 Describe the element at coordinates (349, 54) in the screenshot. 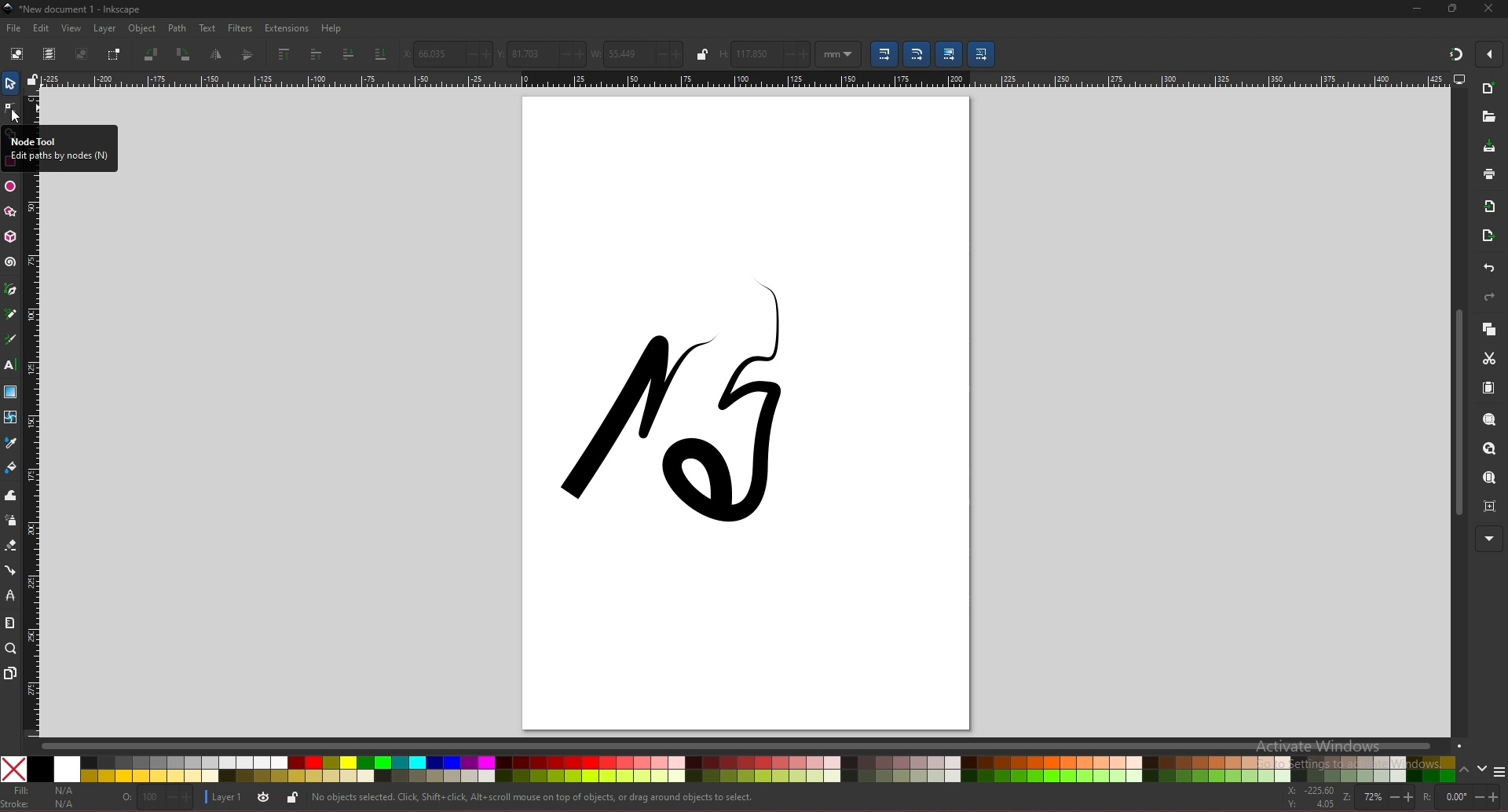

I see `lower selection one step` at that location.